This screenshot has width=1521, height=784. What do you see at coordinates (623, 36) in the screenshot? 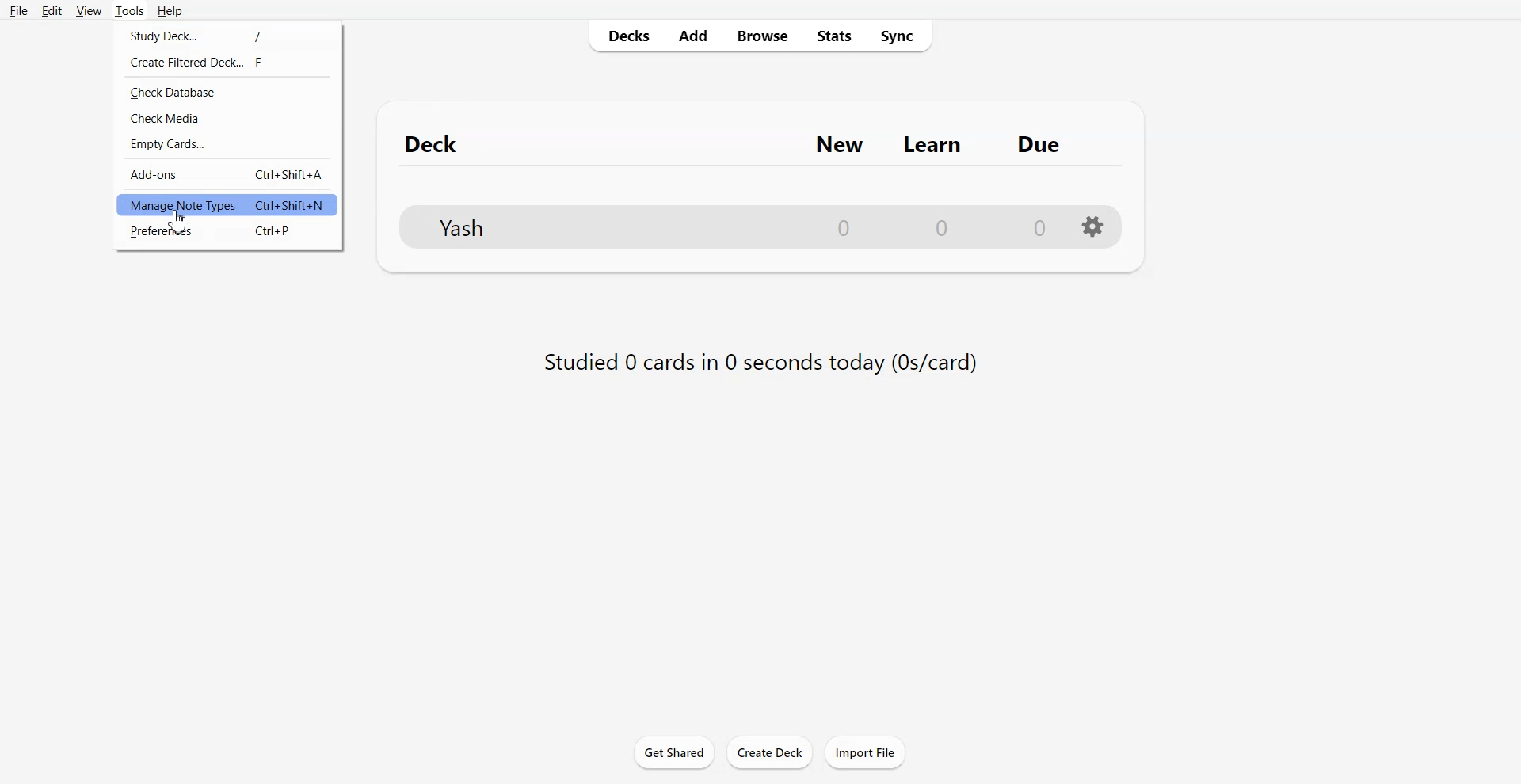
I see `Decks` at bounding box center [623, 36].